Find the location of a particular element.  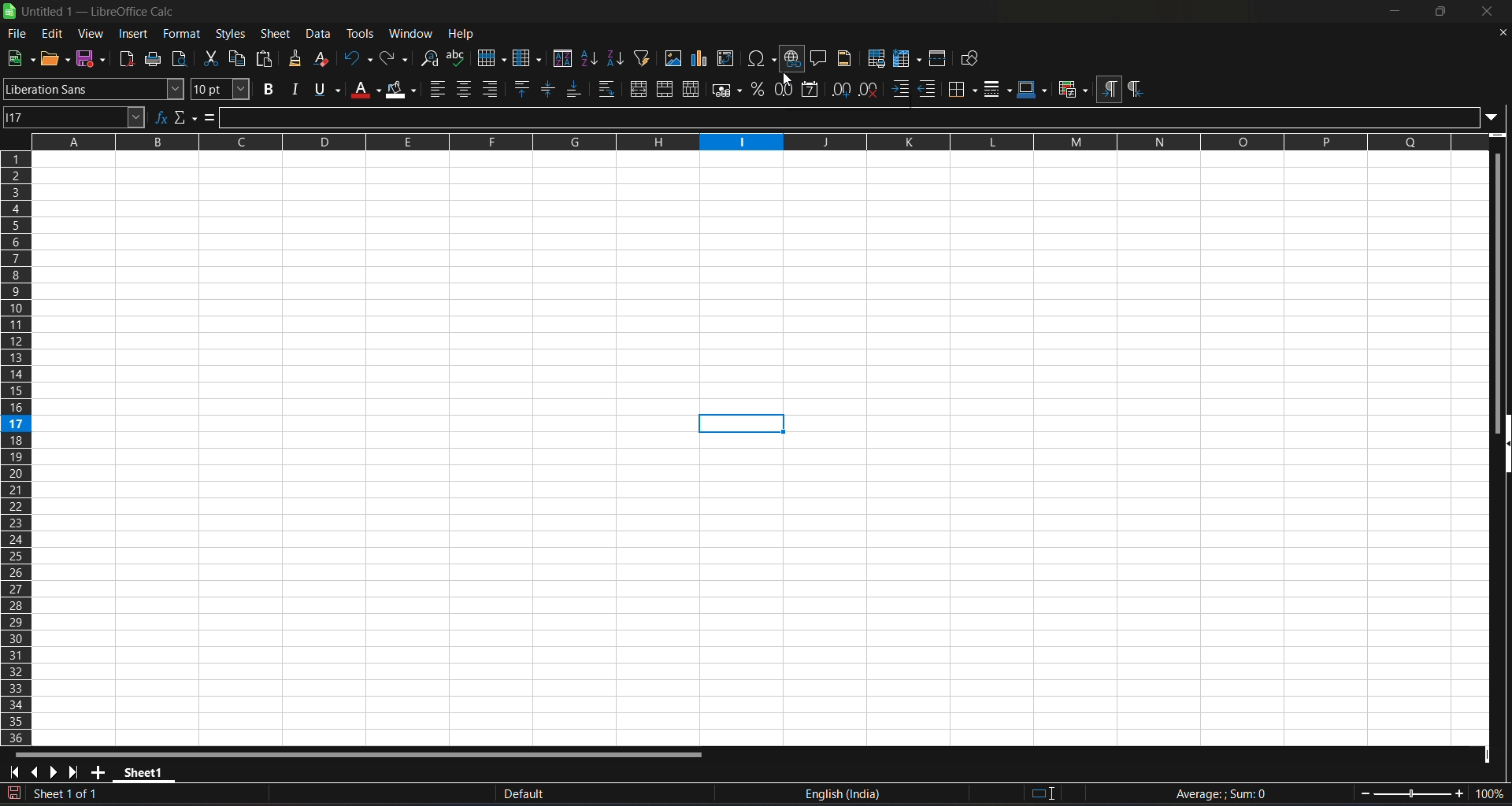

paste is located at coordinates (265, 57).